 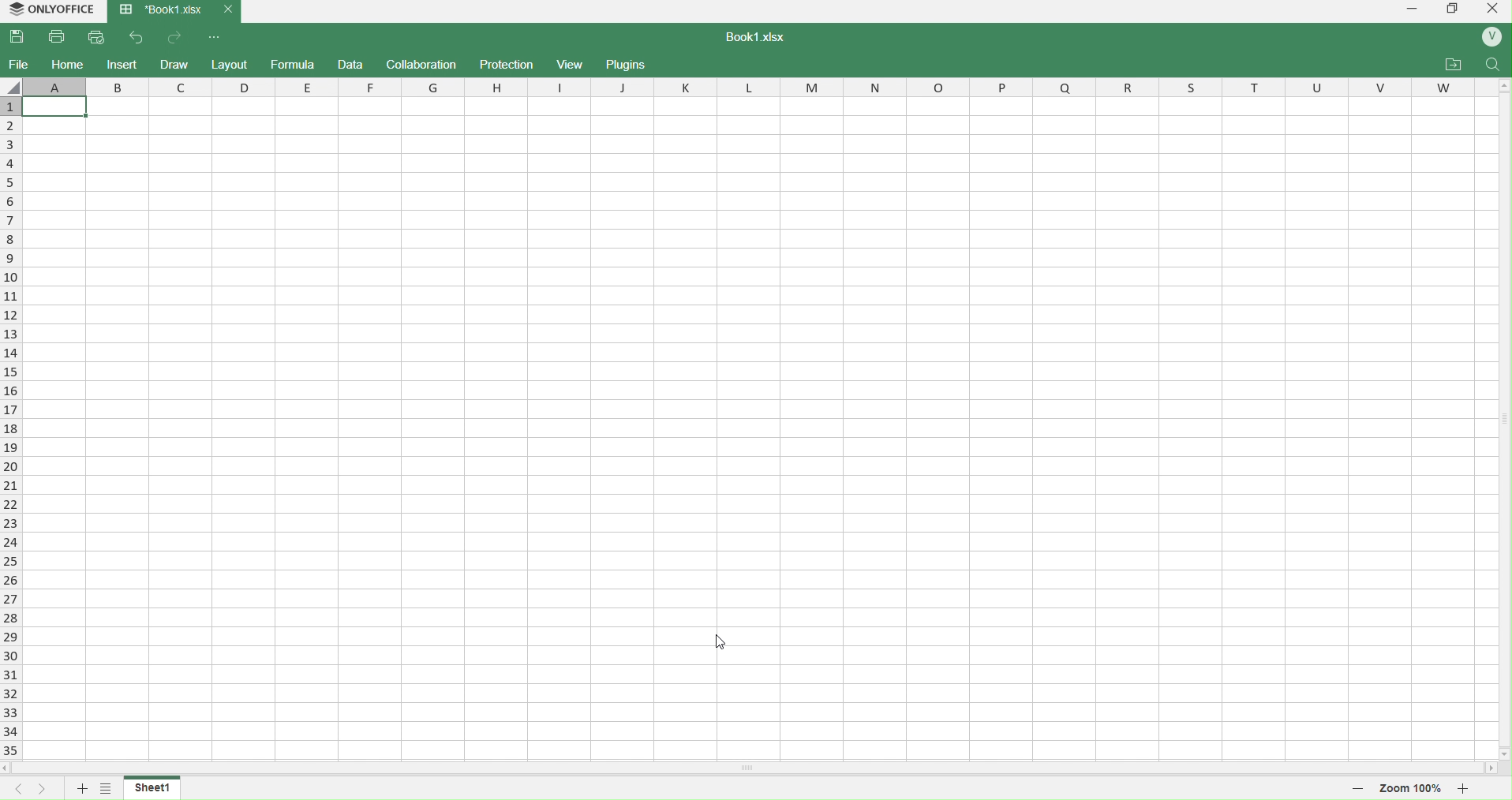 I want to click on data, so click(x=353, y=65).